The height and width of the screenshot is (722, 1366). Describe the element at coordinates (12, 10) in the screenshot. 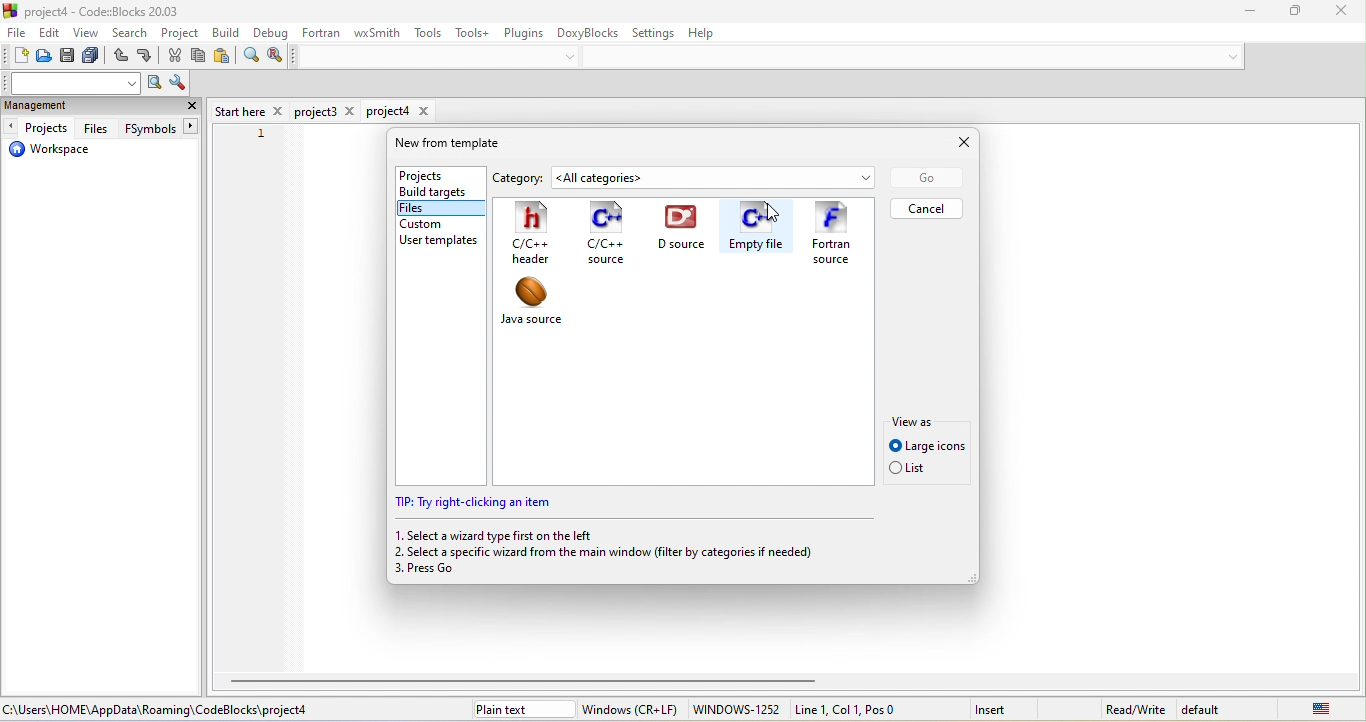

I see `icon` at that location.